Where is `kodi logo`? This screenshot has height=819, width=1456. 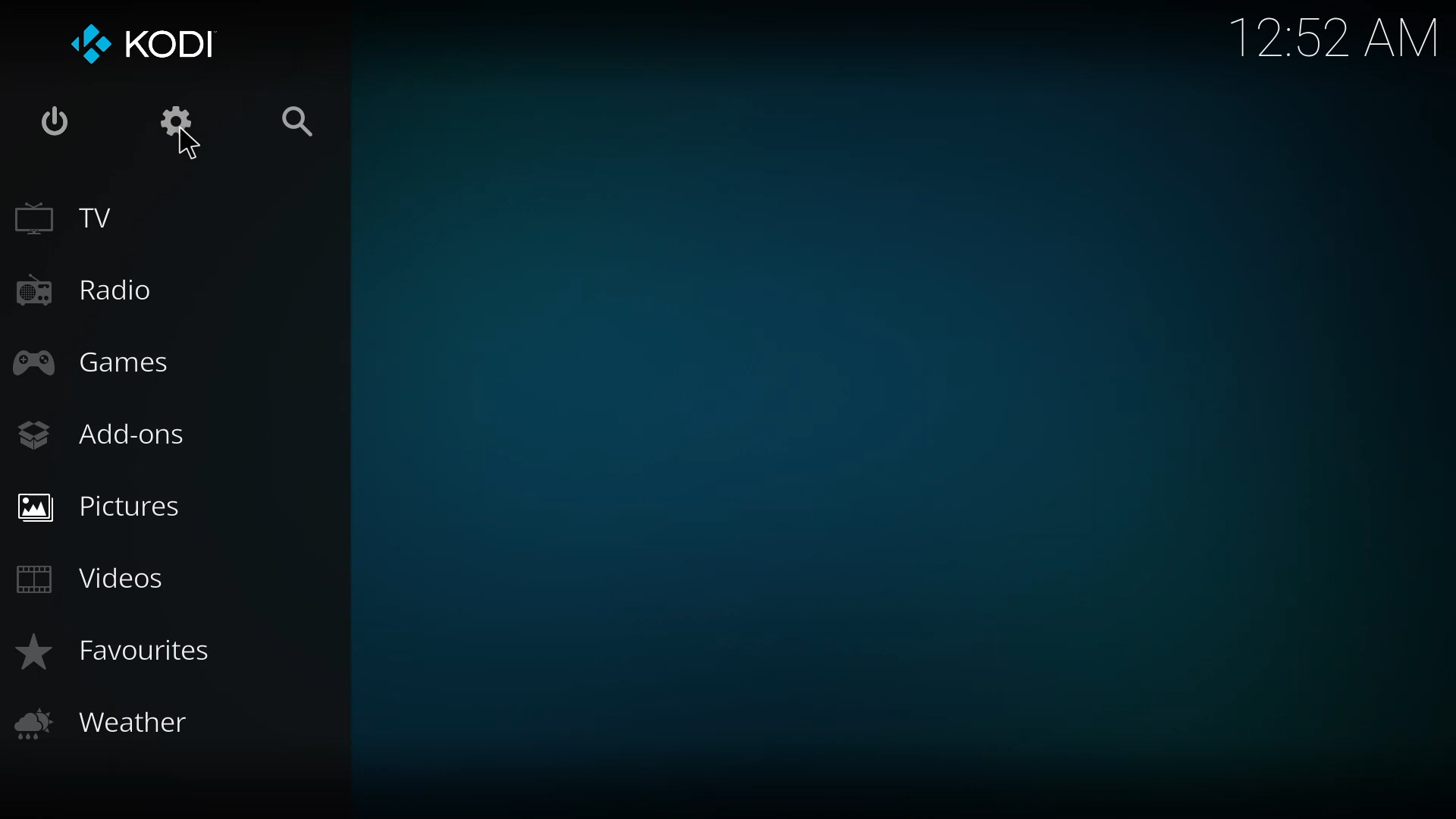
kodi logo is located at coordinates (89, 45).